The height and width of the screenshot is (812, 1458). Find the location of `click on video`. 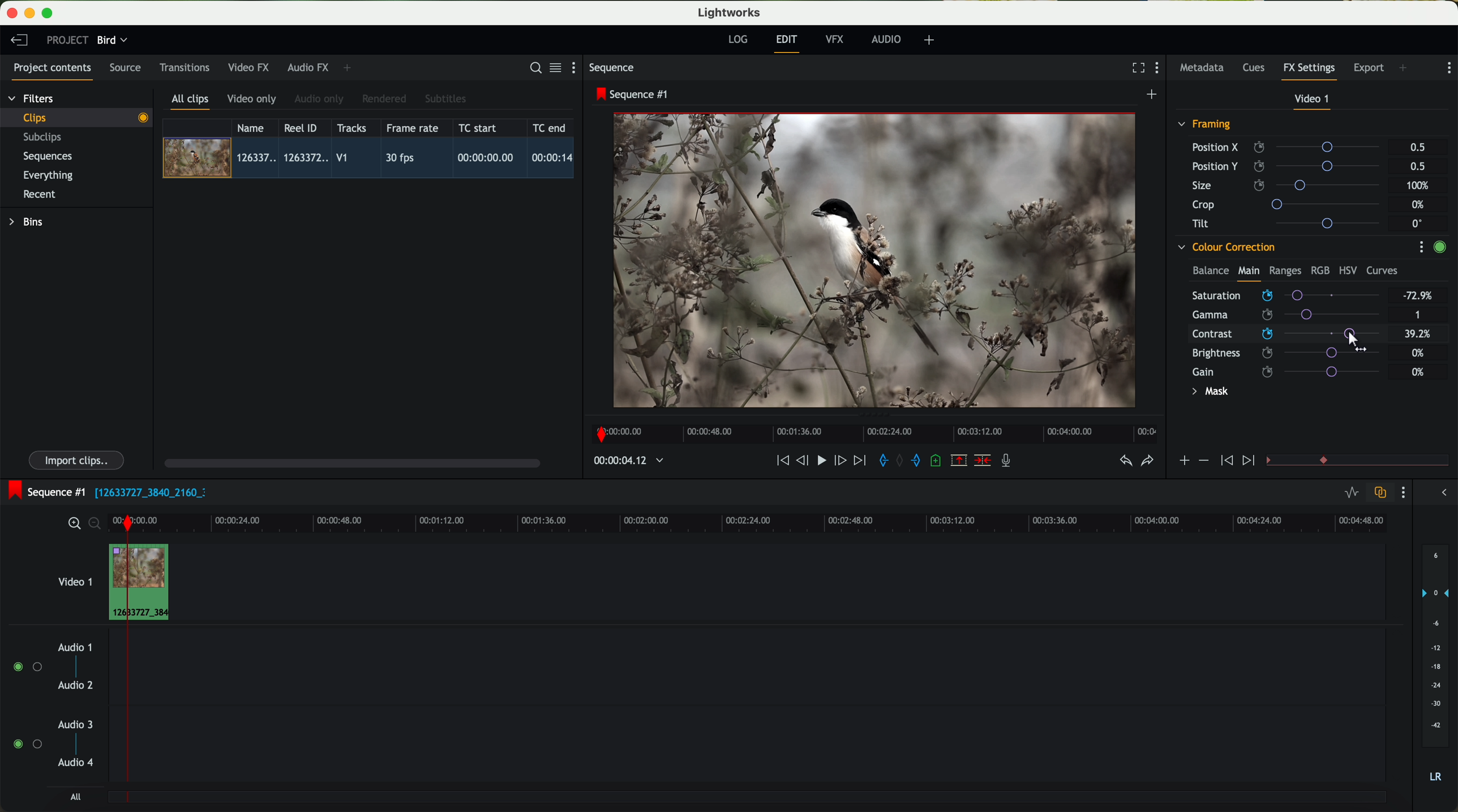

click on video is located at coordinates (372, 160).